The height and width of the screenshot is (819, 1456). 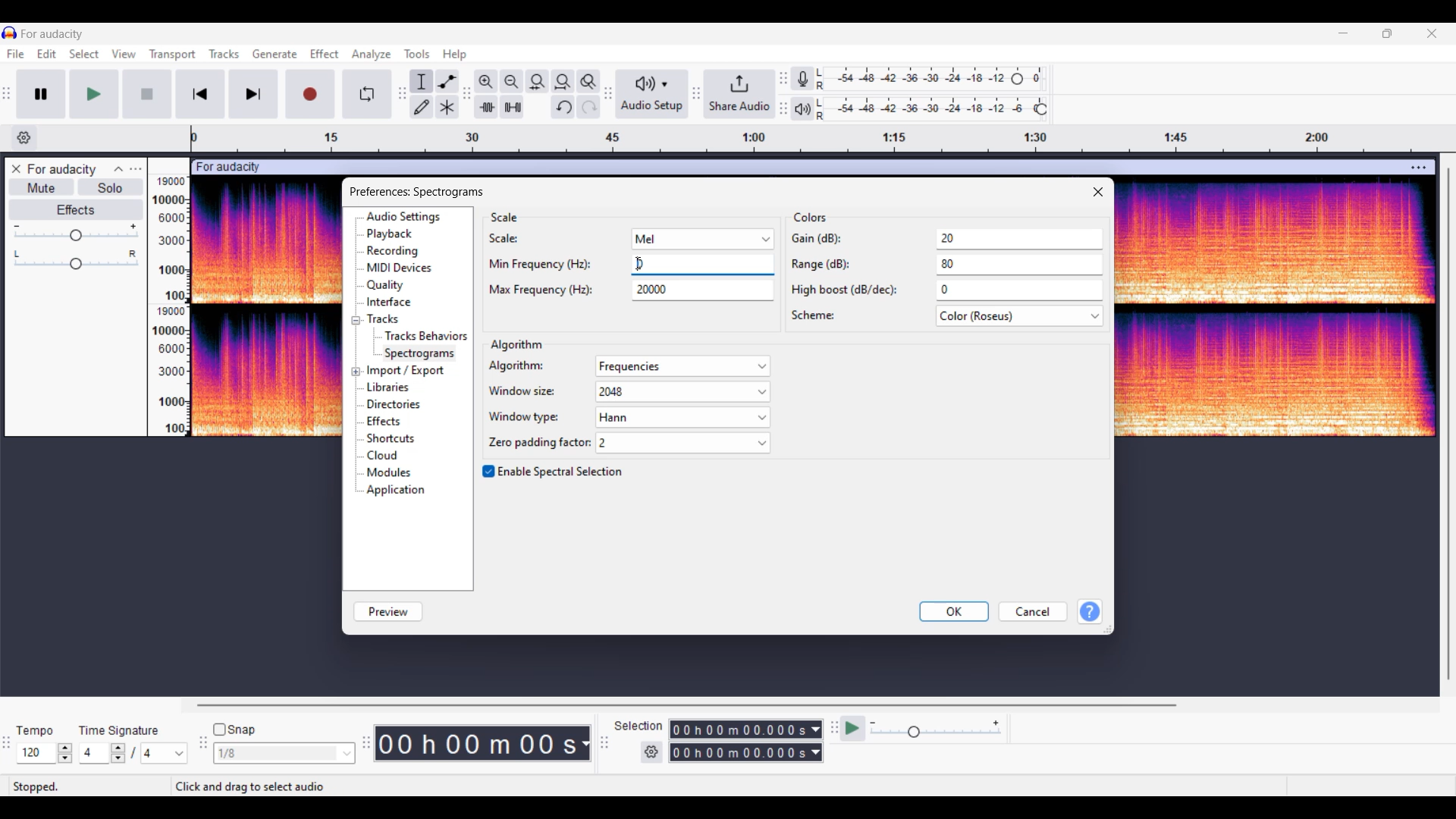 I want to click on playback, so click(x=396, y=234).